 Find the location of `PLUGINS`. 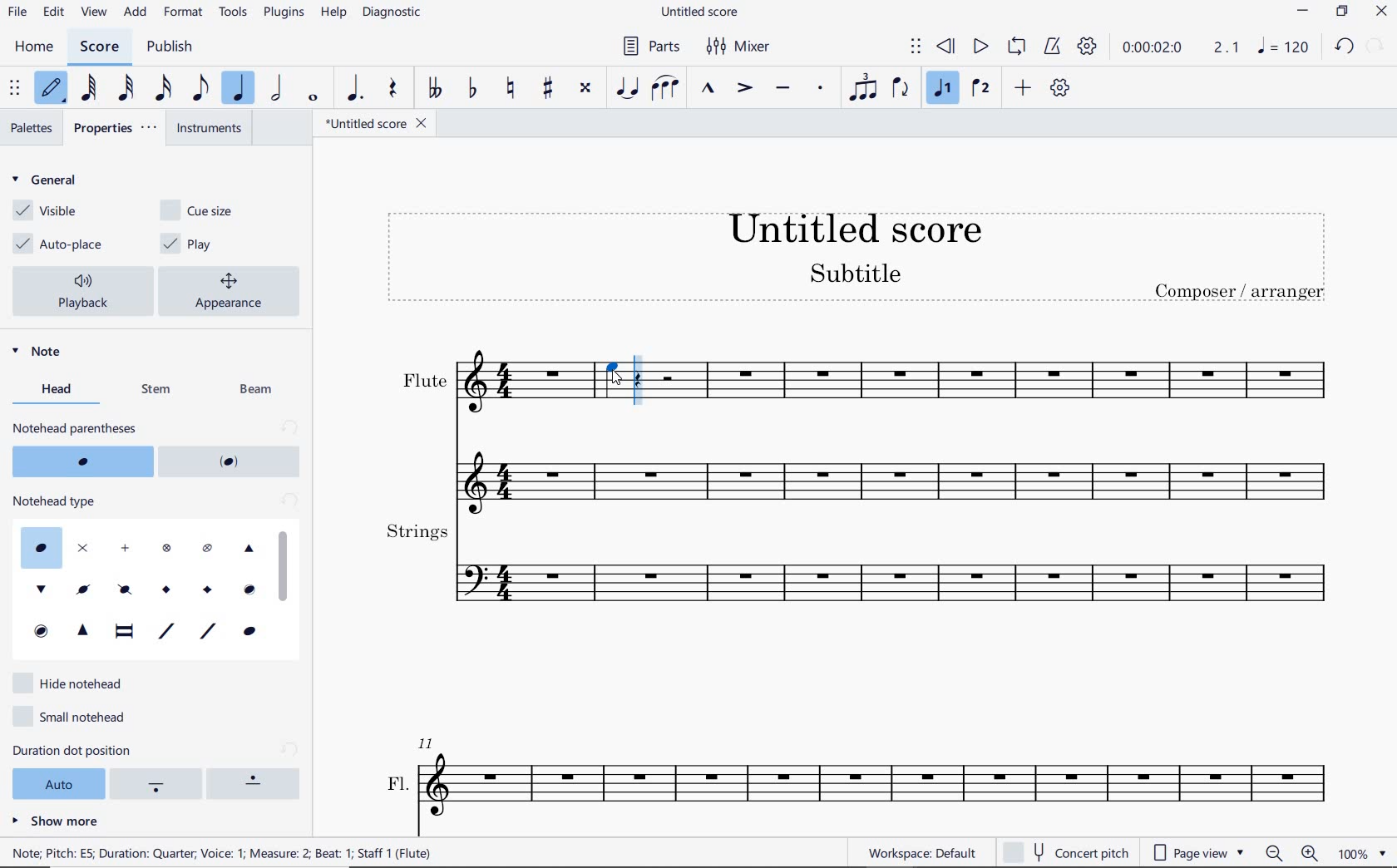

PLUGINS is located at coordinates (285, 13).